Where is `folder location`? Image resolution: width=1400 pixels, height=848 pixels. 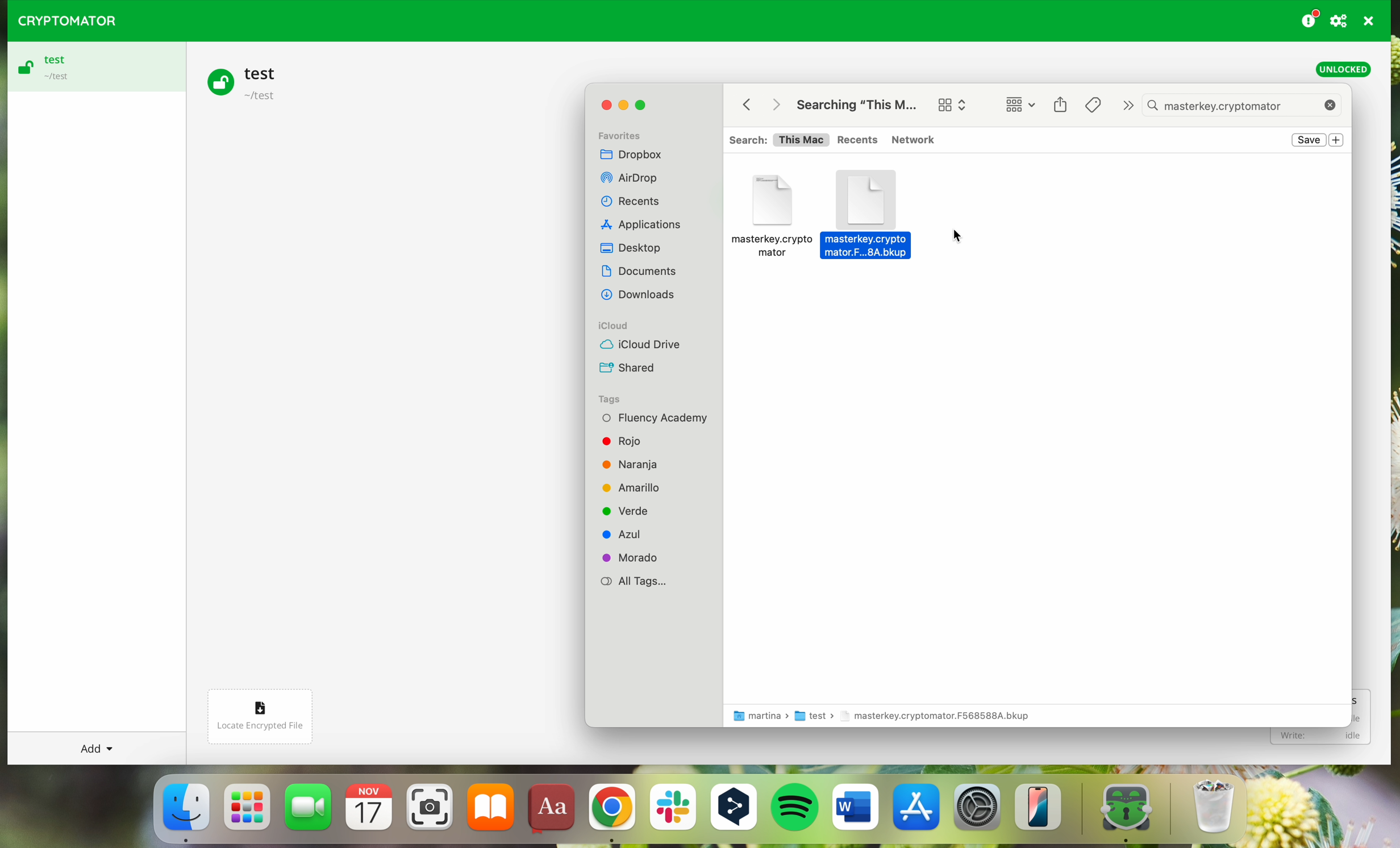 folder location is located at coordinates (888, 717).